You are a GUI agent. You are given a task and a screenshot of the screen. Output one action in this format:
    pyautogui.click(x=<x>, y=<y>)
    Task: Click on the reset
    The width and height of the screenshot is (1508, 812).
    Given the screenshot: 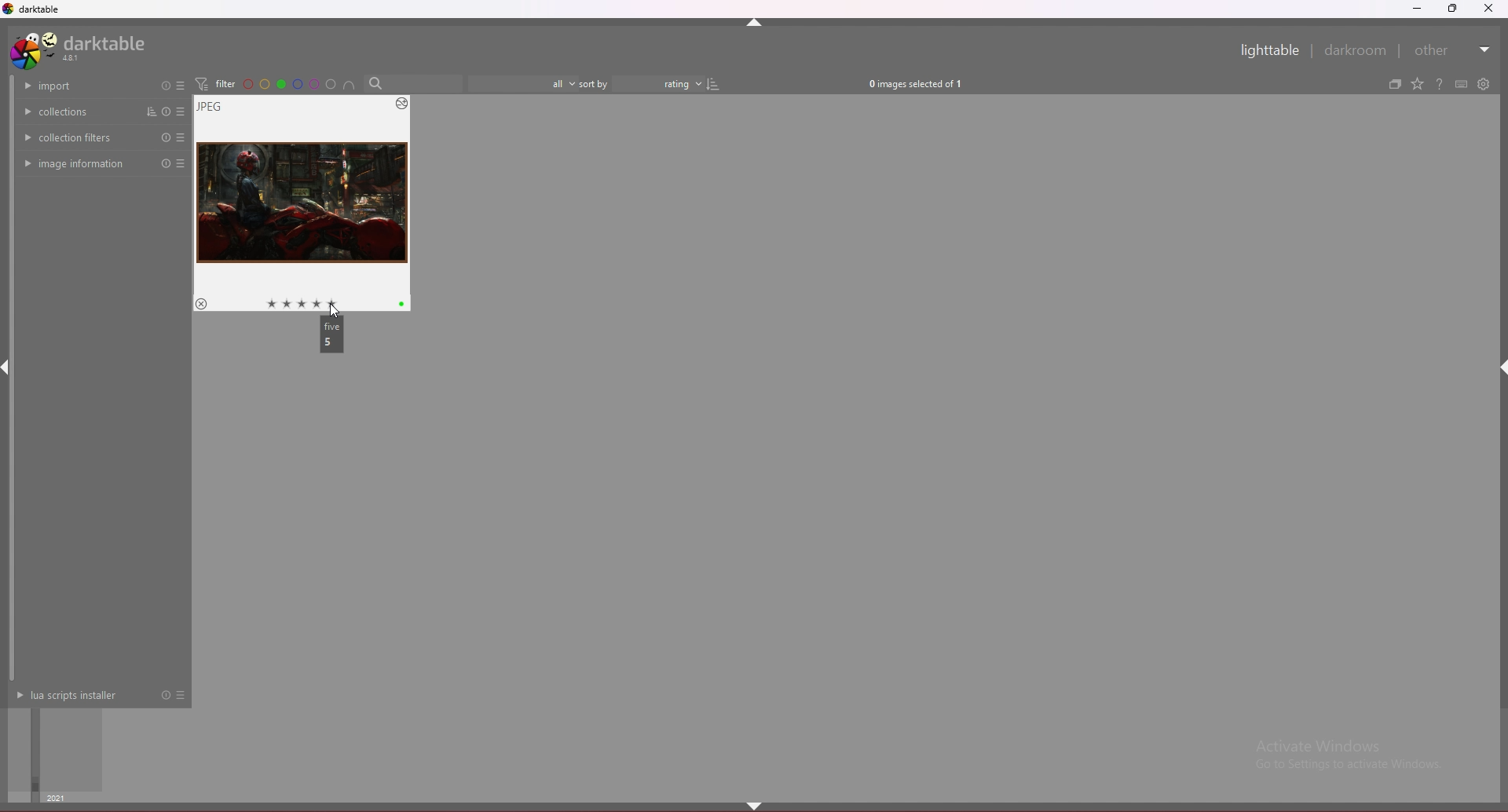 What is the action you would take?
    pyautogui.click(x=166, y=85)
    